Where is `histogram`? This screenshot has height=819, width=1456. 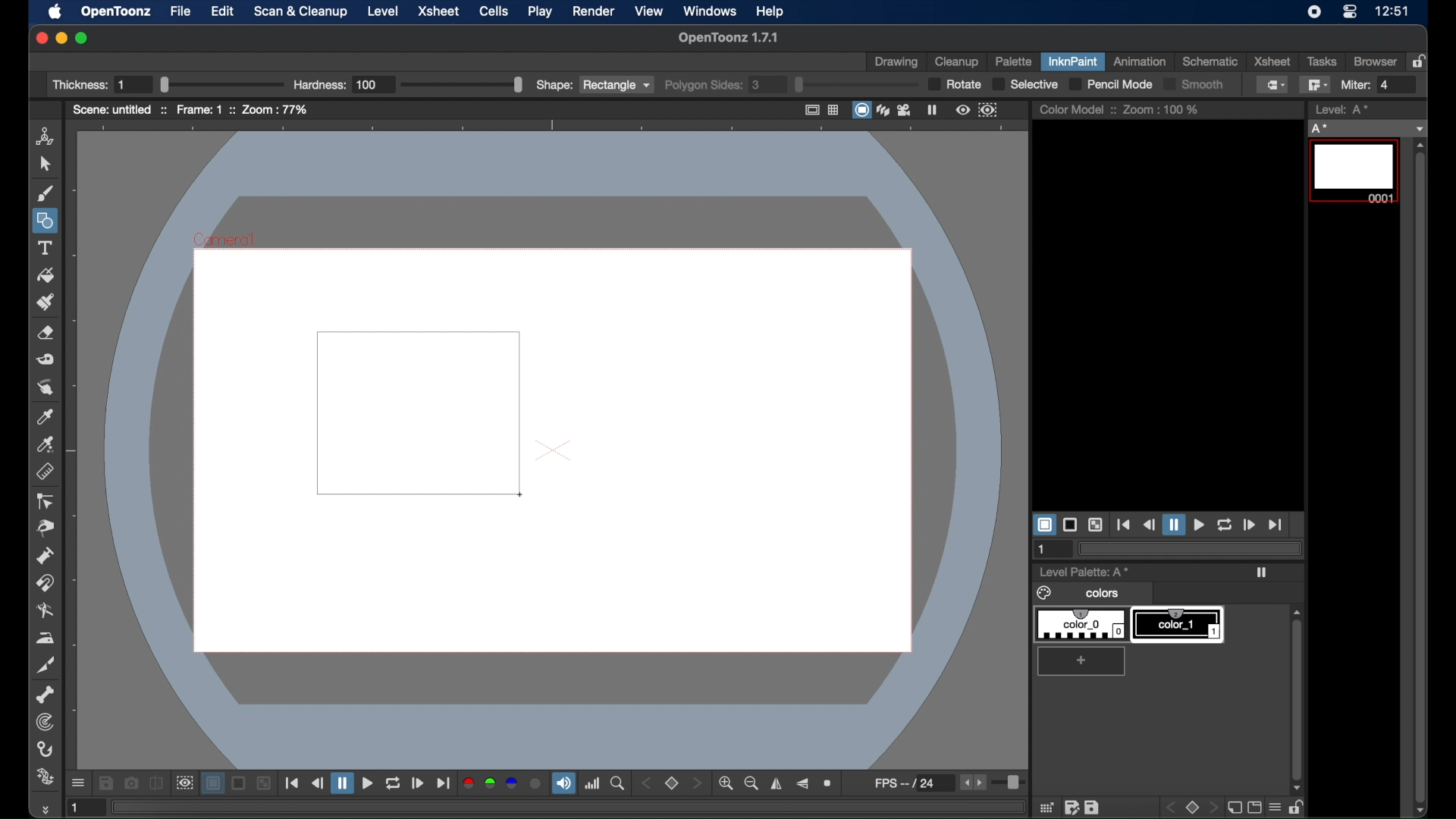 histogram is located at coordinates (592, 783).